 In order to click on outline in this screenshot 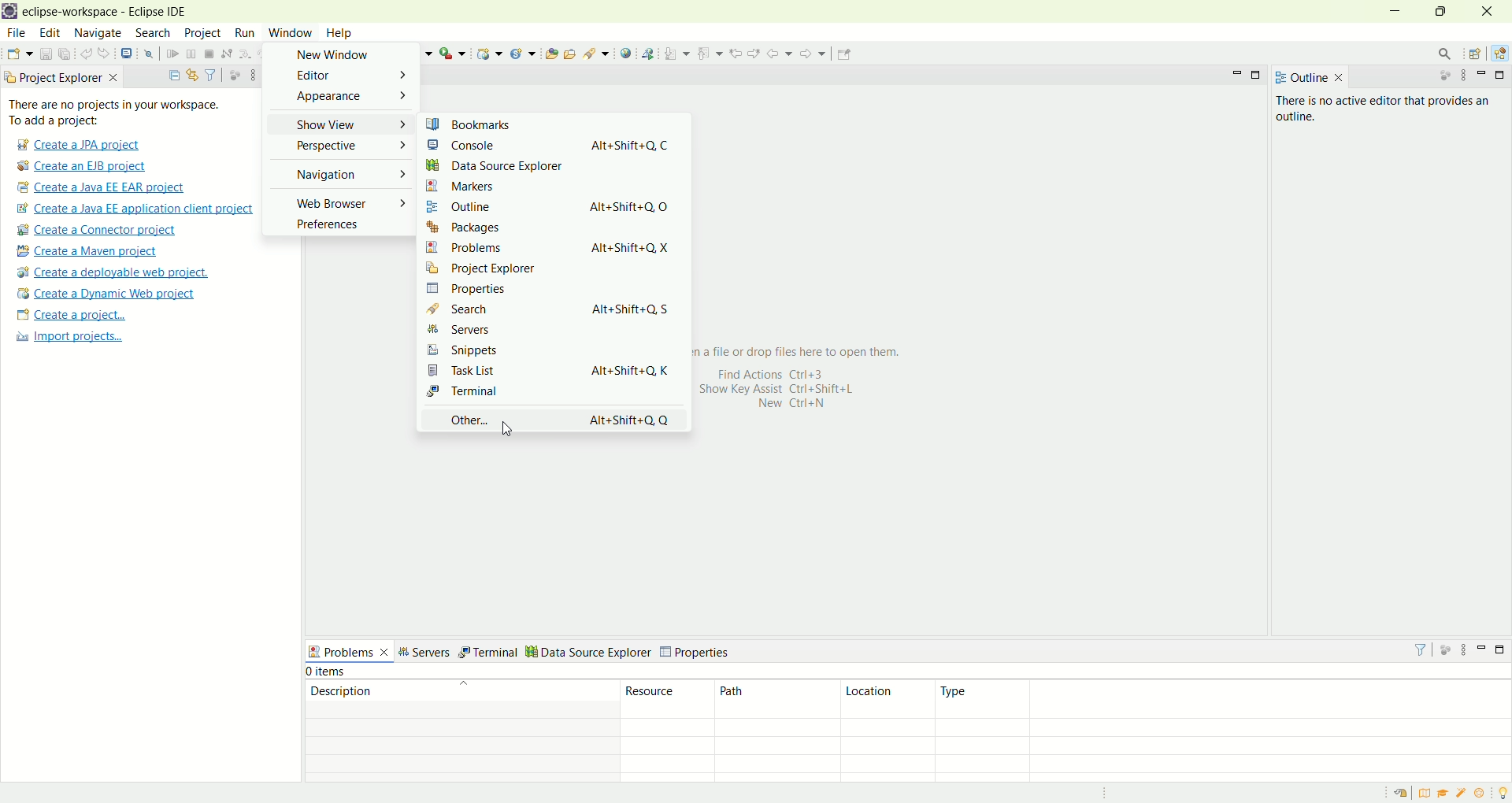, I will do `click(484, 207)`.